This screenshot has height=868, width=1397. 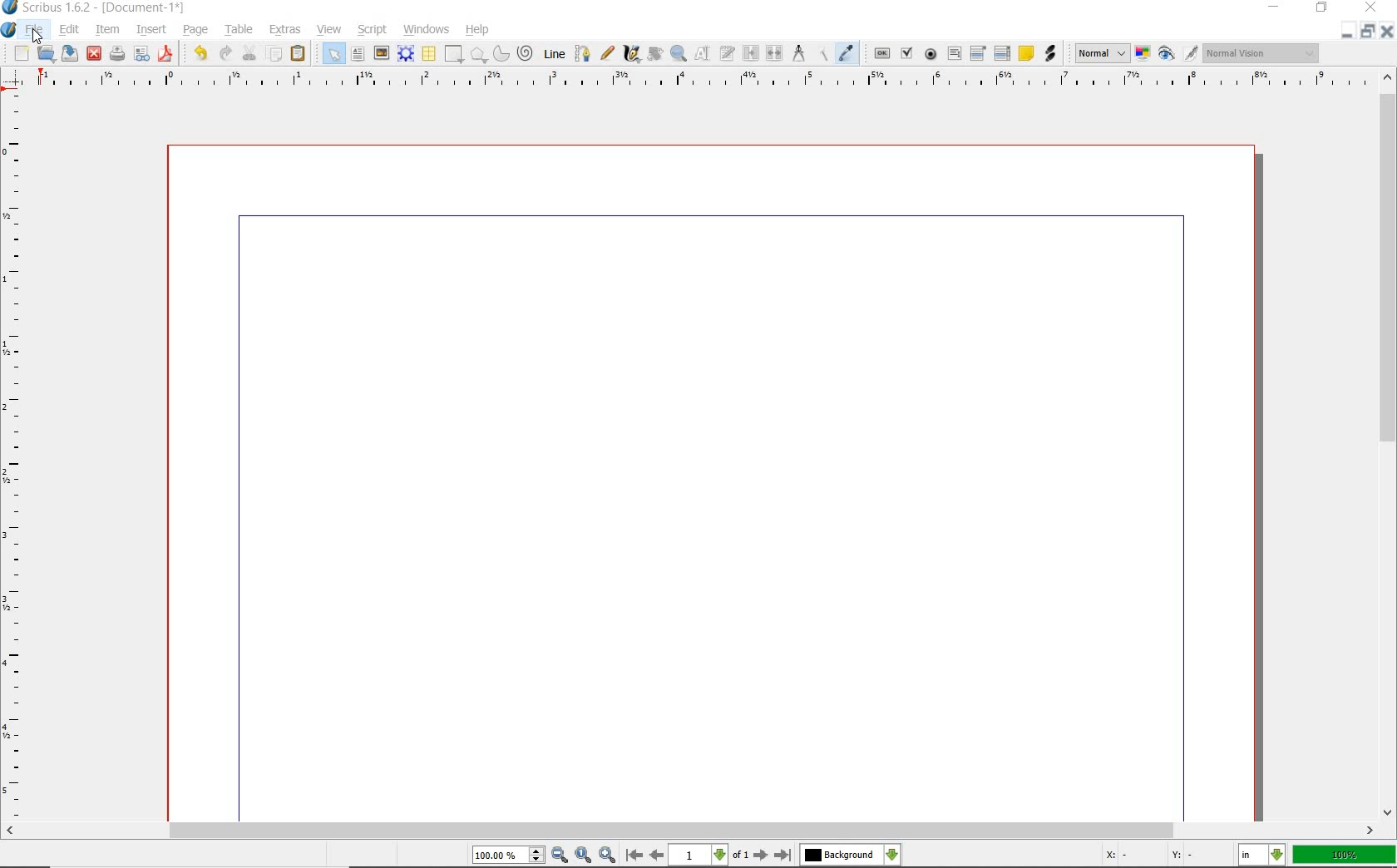 I want to click on eye dropper, so click(x=847, y=52).